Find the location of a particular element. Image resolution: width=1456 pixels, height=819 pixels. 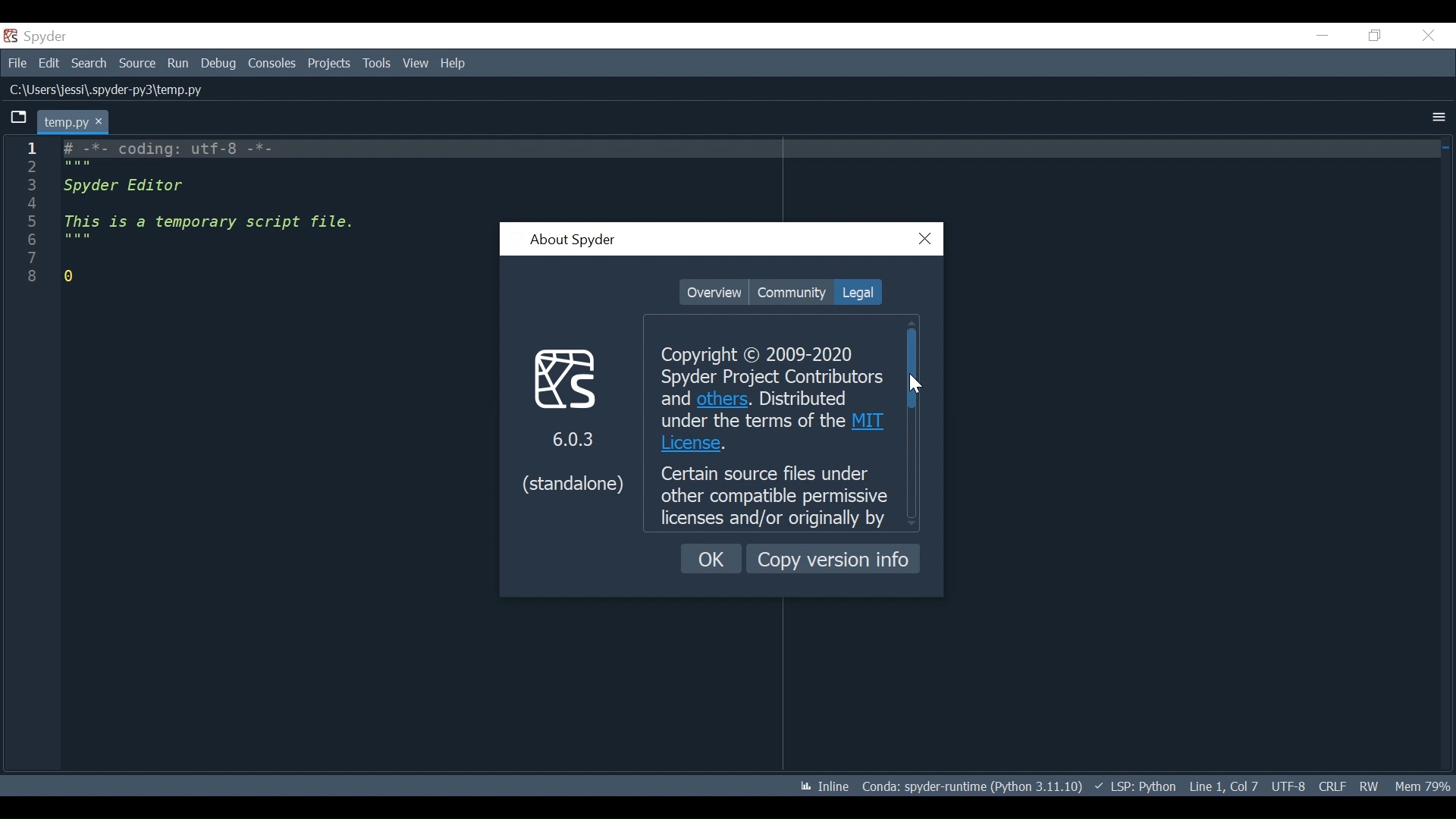

View is located at coordinates (416, 63).